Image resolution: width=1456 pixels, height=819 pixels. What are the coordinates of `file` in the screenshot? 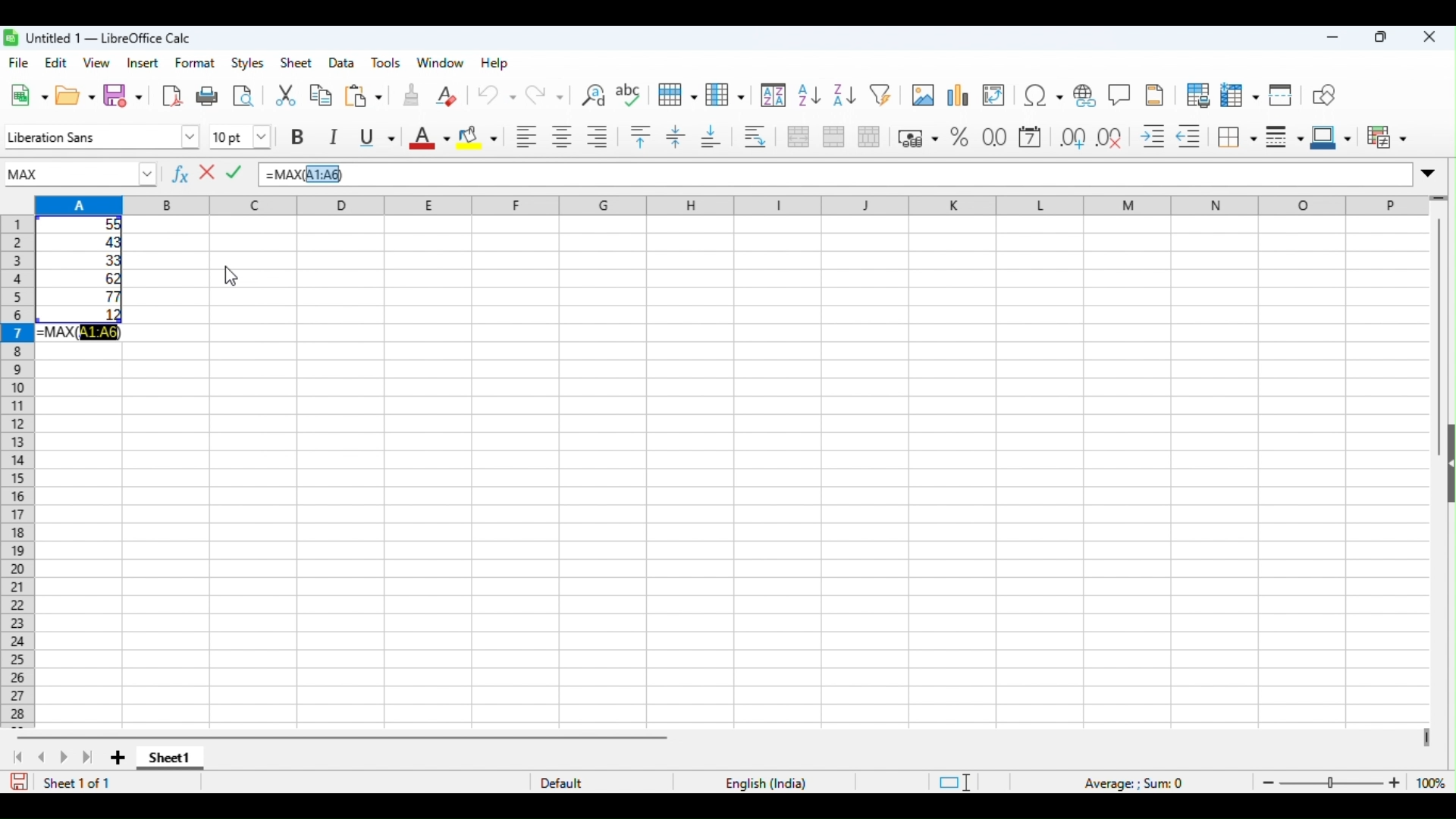 It's located at (21, 64).